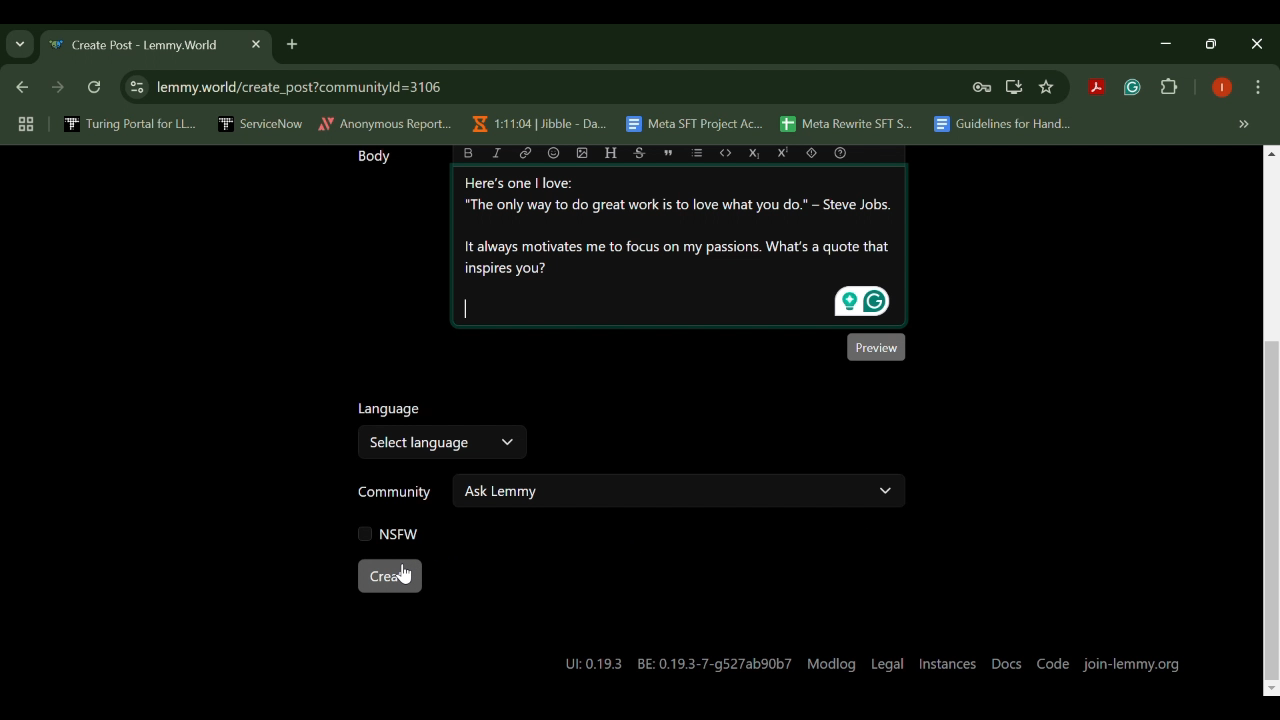 This screenshot has width=1280, height=720. What do you see at coordinates (1000, 124) in the screenshot?
I see `Guidelines for Hand...` at bounding box center [1000, 124].